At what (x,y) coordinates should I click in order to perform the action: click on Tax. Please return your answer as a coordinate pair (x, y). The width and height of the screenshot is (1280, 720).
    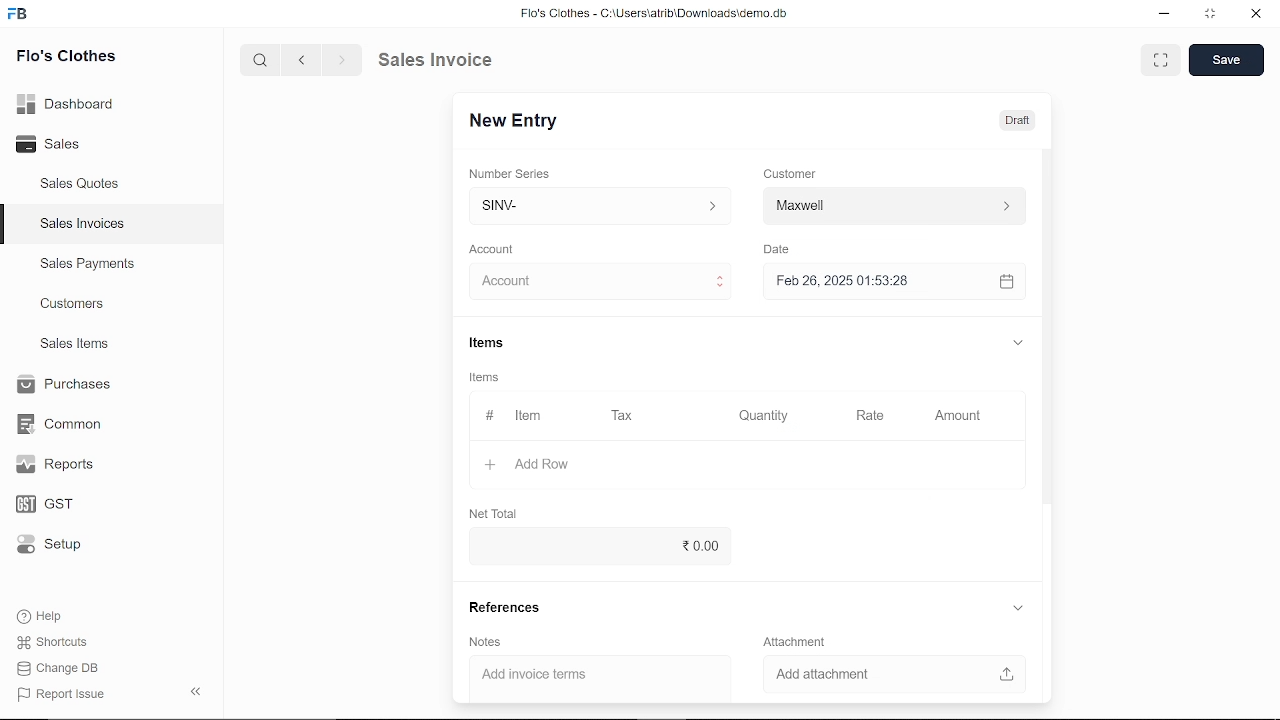
    Looking at the image, I should click on (626, 416).